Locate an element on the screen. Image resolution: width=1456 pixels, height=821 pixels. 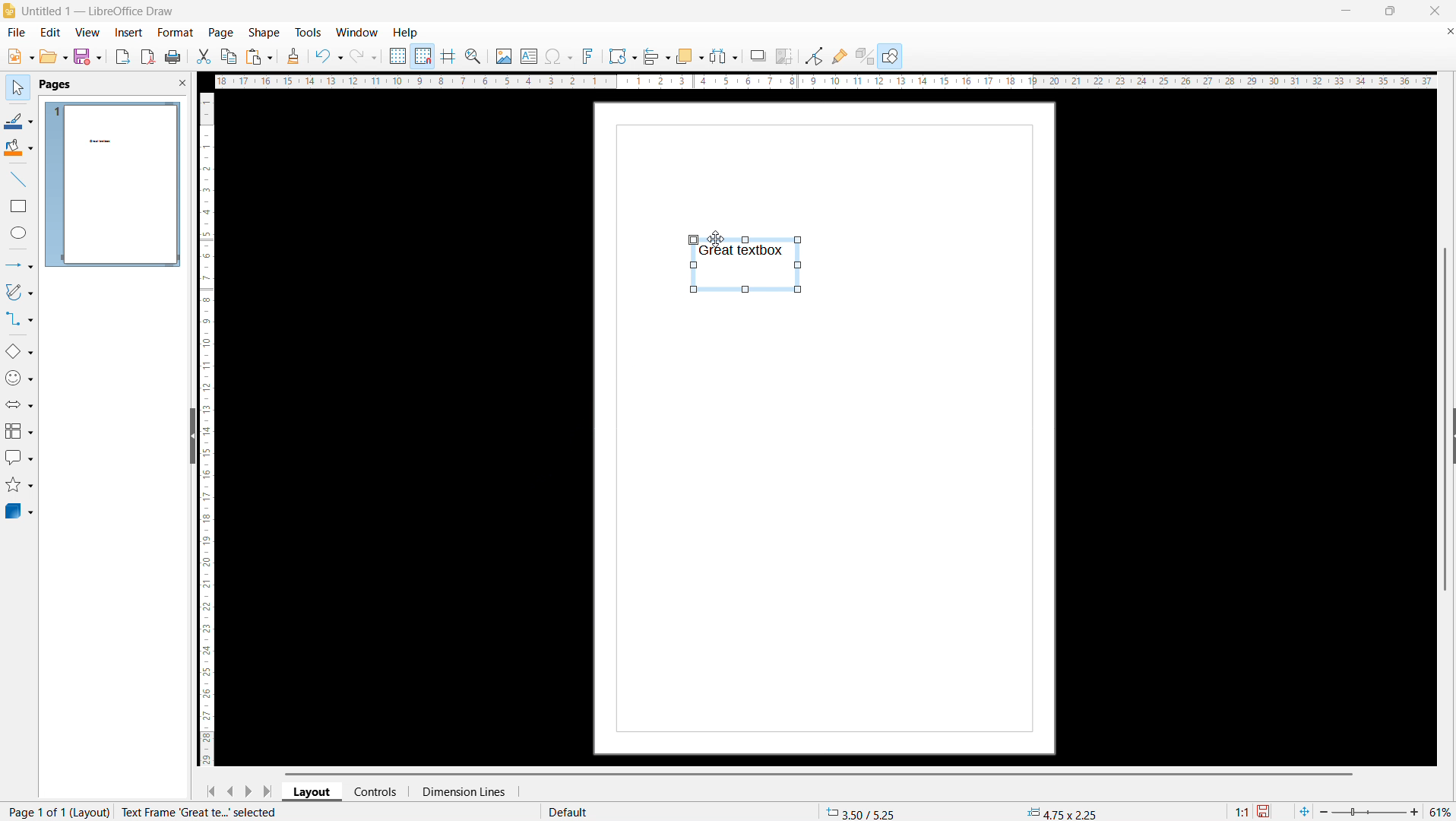
connectors is located at coordinates (19, 320).